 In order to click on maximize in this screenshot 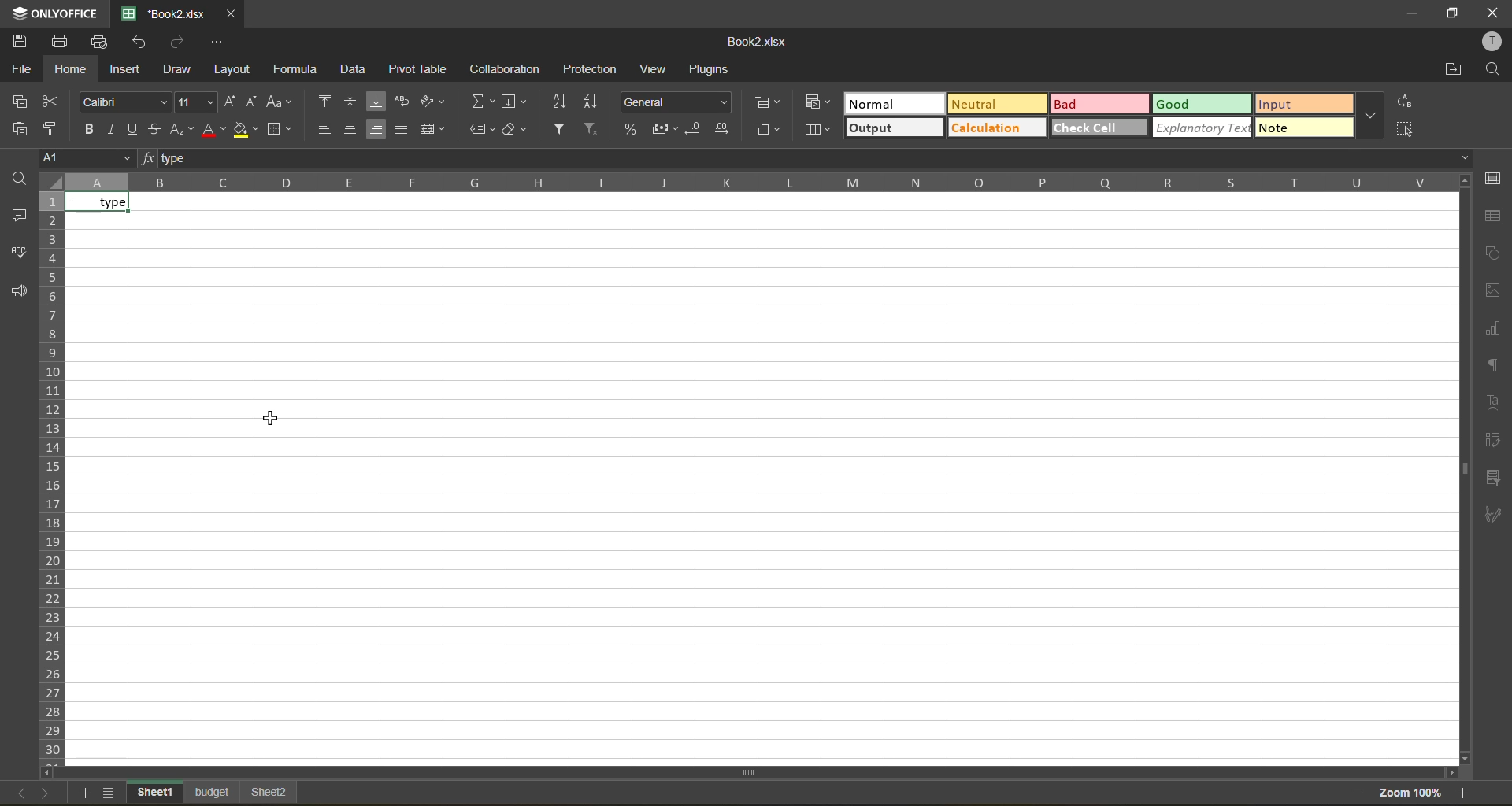, I will do `click(1455, 12)`.